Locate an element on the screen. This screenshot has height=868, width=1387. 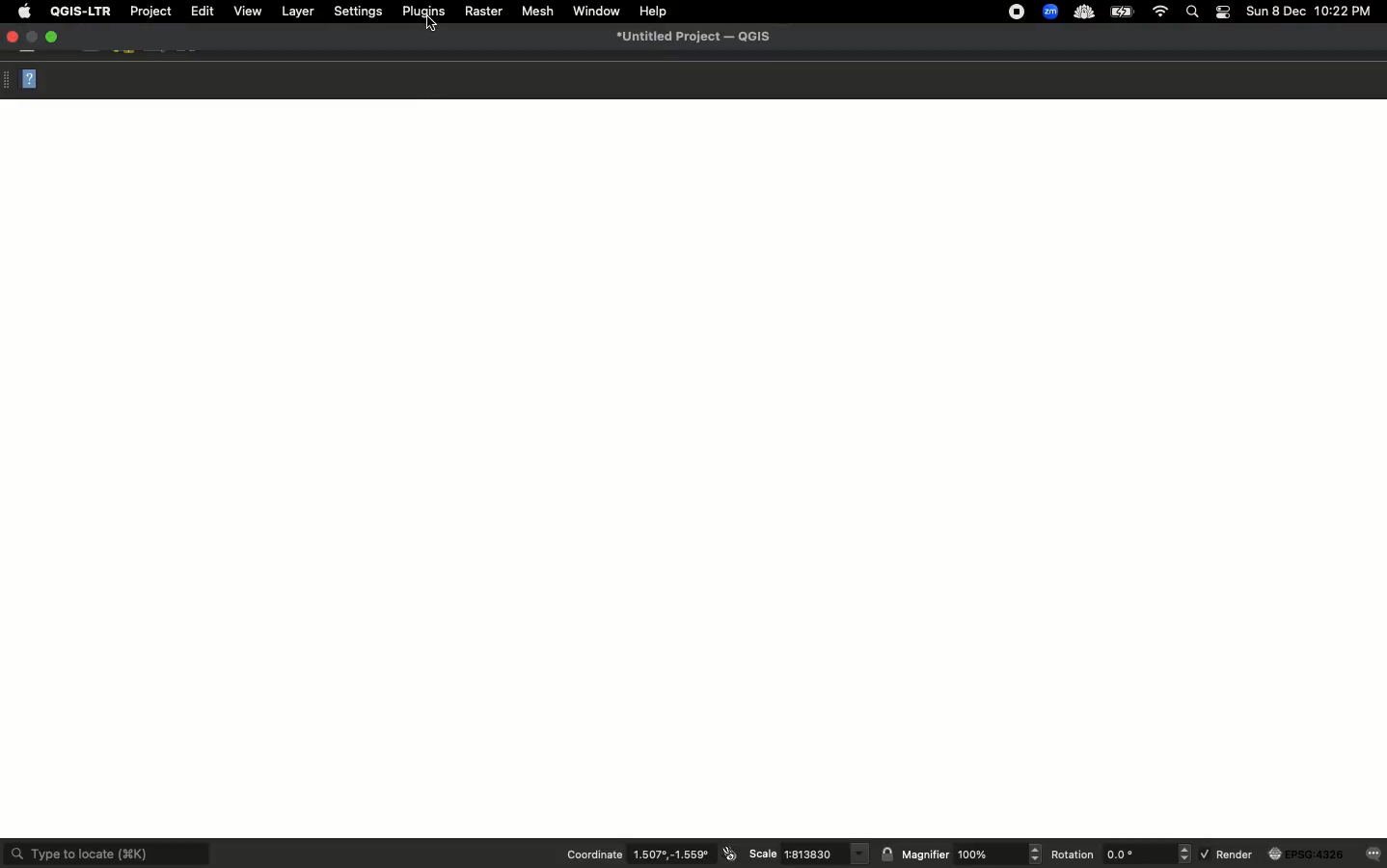
Date time is located at coordinates (1310, 12).